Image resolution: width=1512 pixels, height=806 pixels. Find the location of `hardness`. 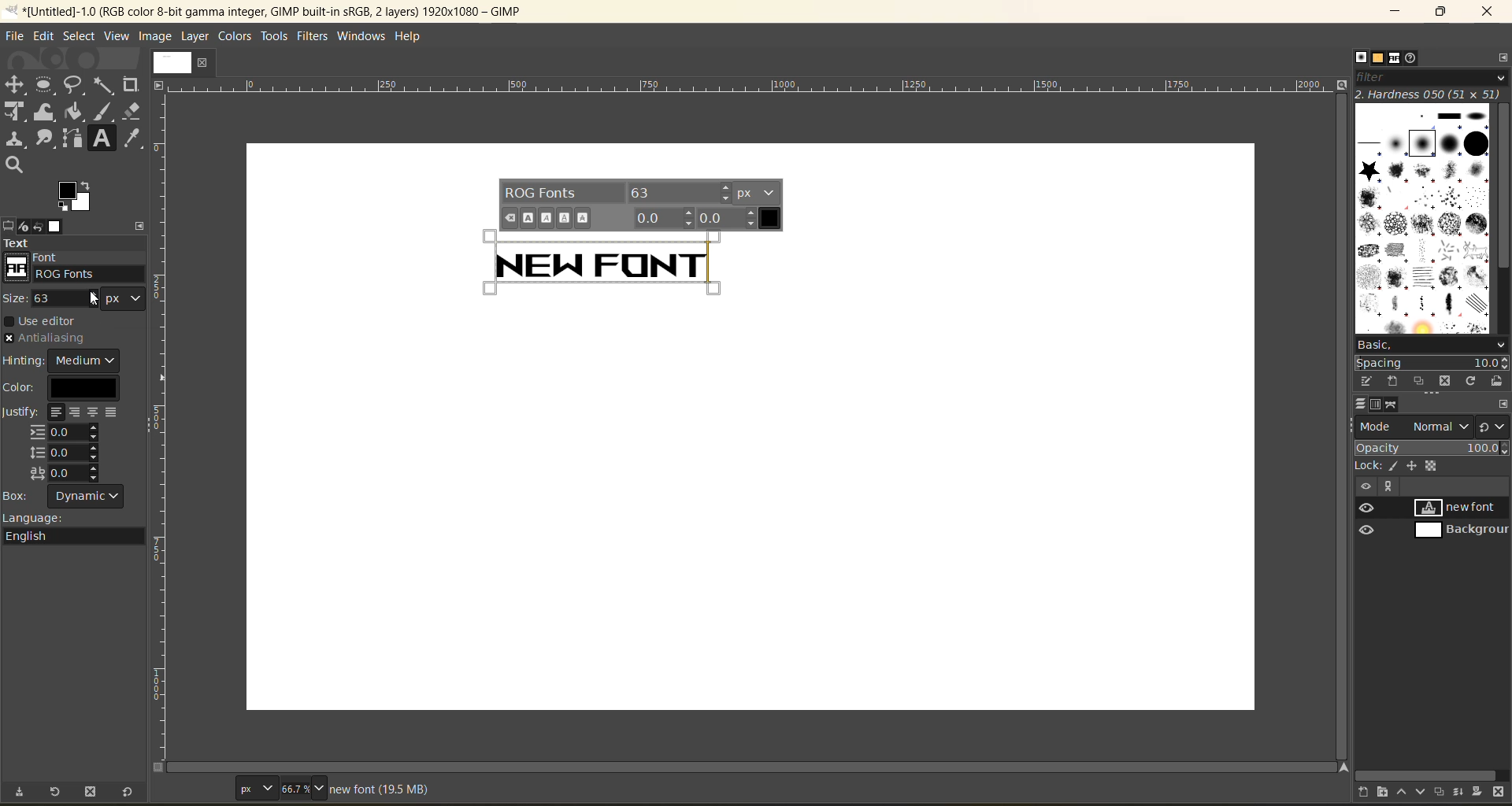

hardness is located at coordinates (1430, 94).